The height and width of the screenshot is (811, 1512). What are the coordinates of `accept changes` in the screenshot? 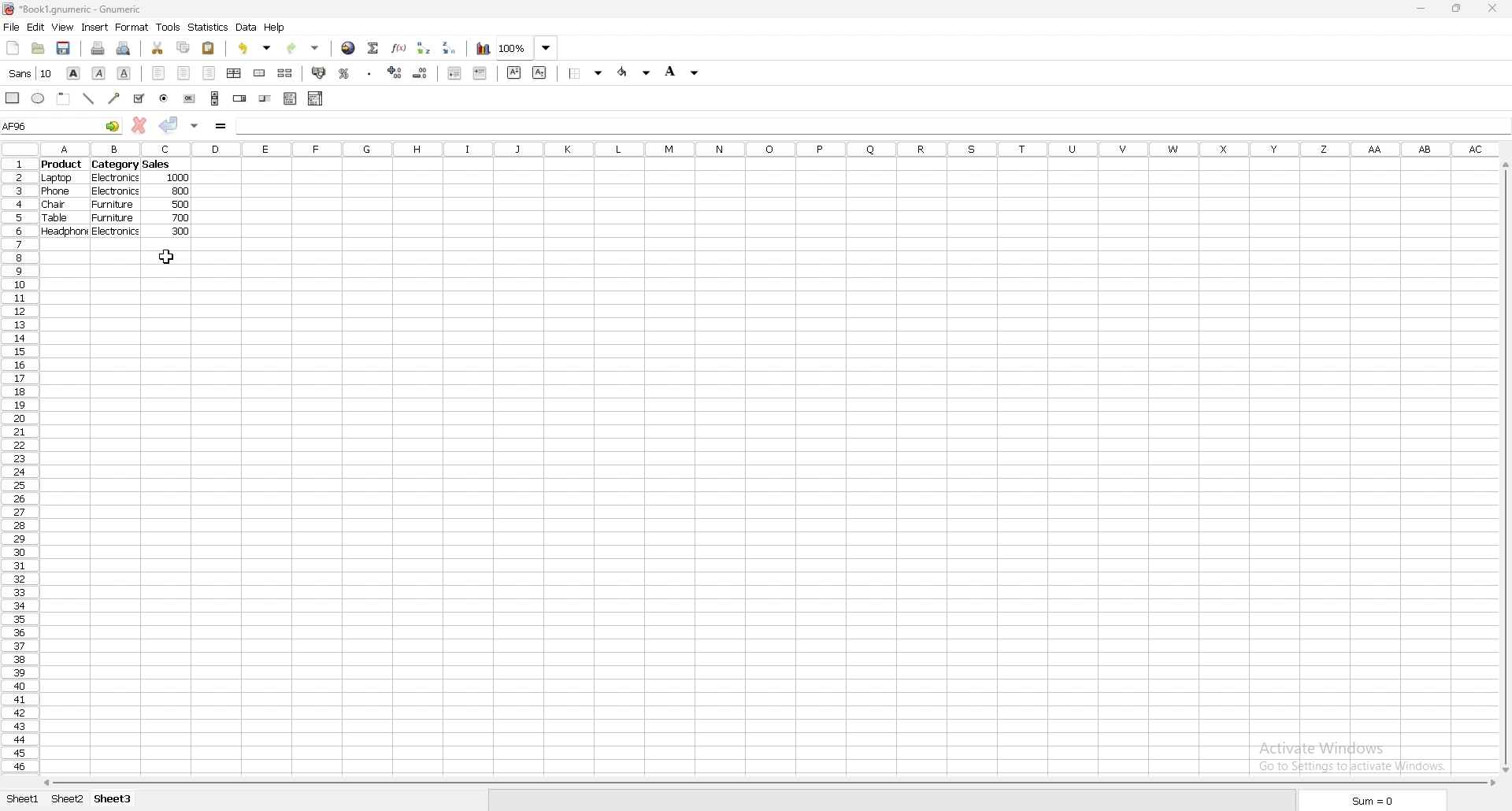 It's located at (169, 125).